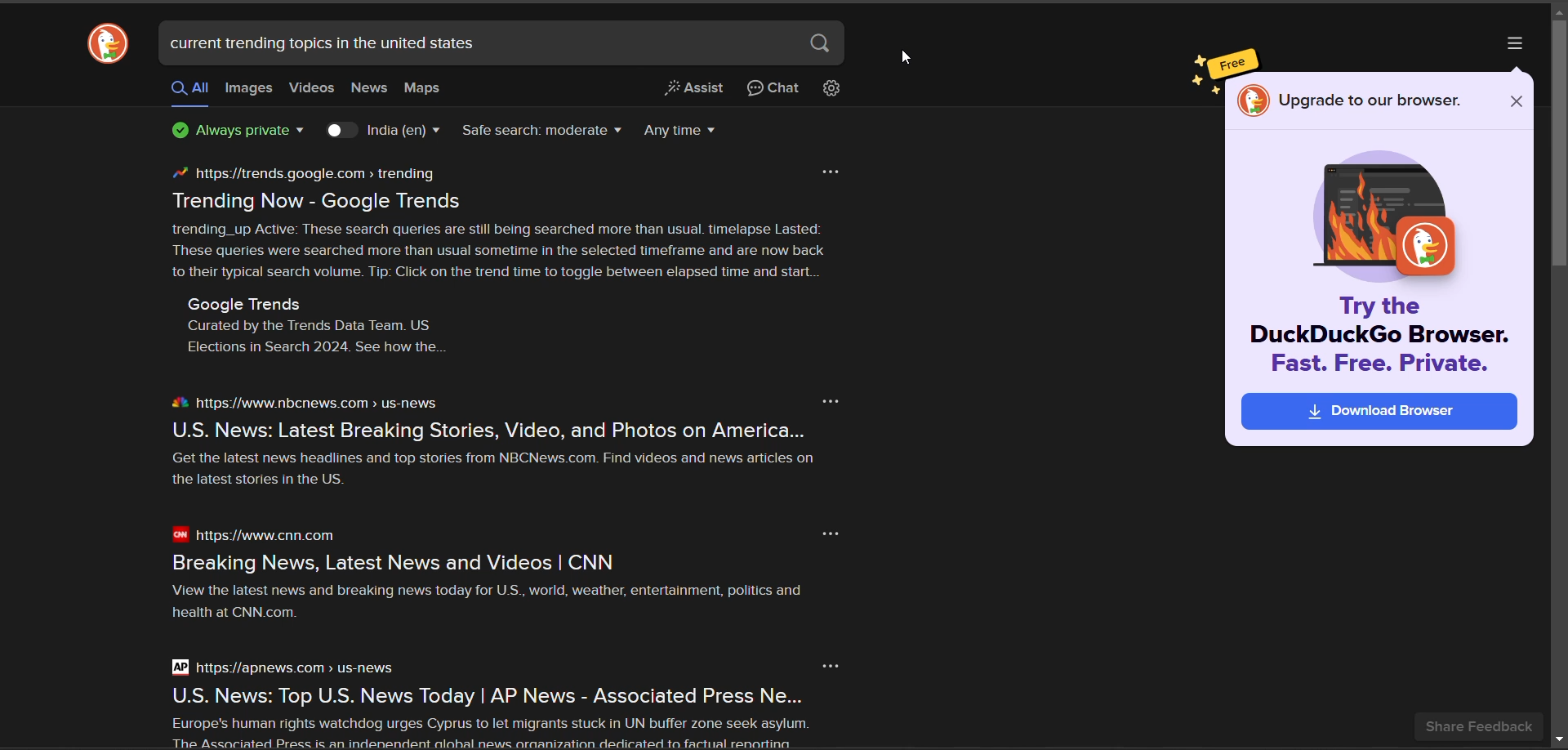  Describe the element at coordinates (773, 88) in the screenshot. I see `chat privately with AI` at that location.